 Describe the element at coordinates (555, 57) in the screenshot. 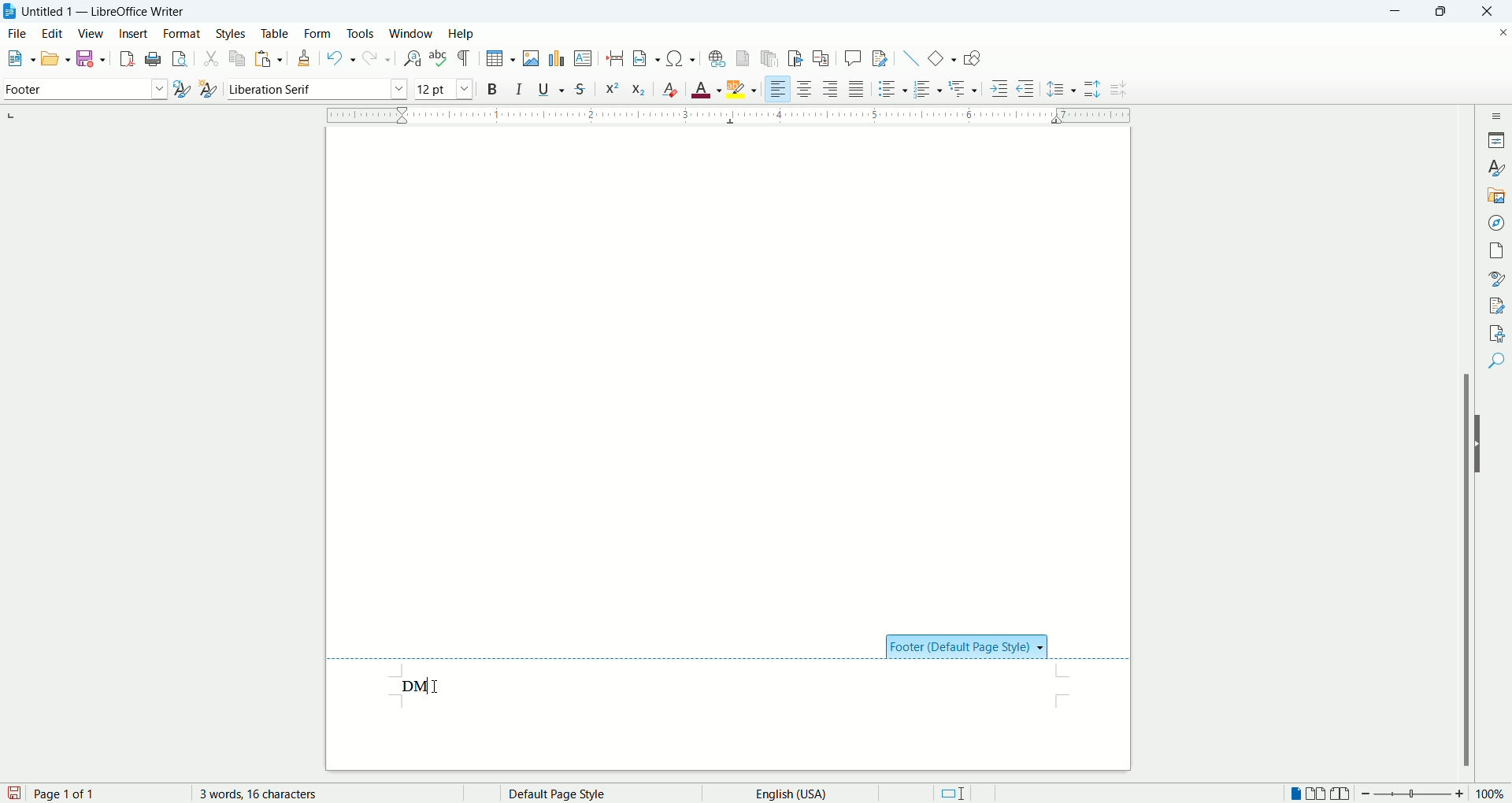

I see `insert chart` at that location.